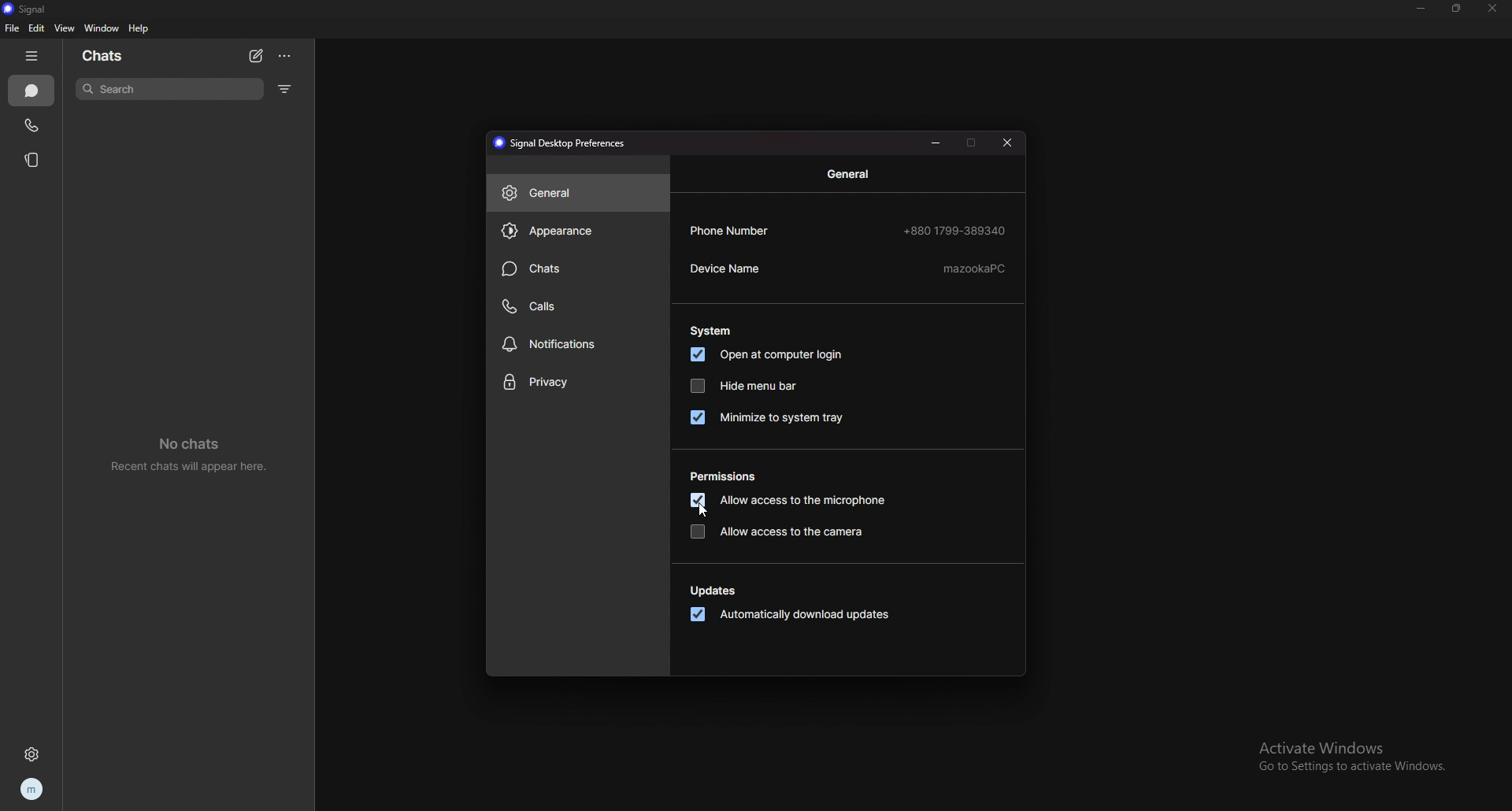  Describe the element at coordinates (12, 28) in the screenshot. I see `file` at that location.